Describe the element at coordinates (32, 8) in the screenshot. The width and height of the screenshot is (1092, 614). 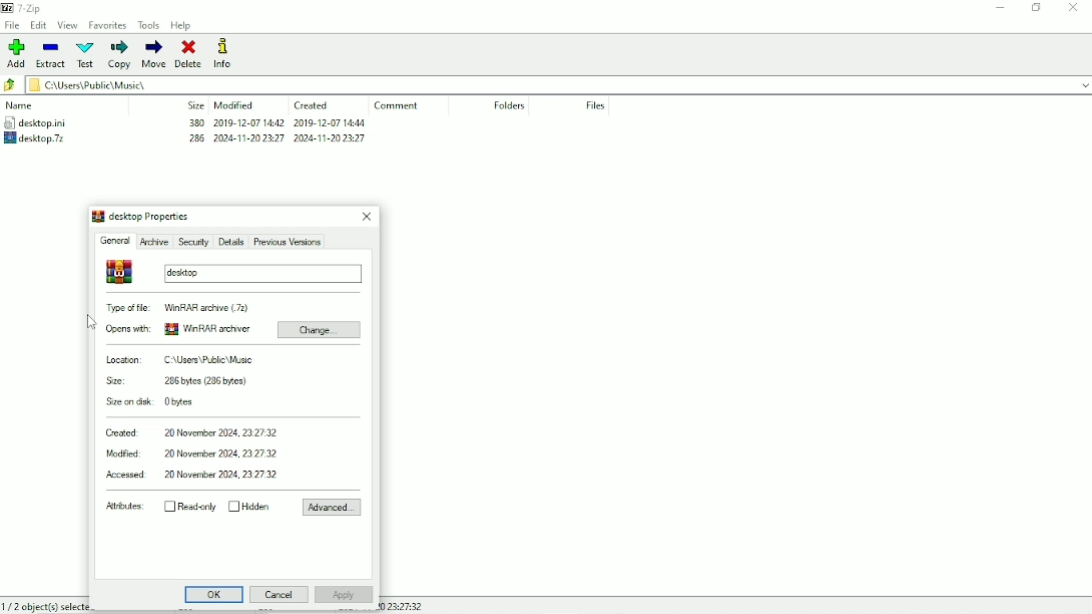
I see `7 - Zip` at that location.